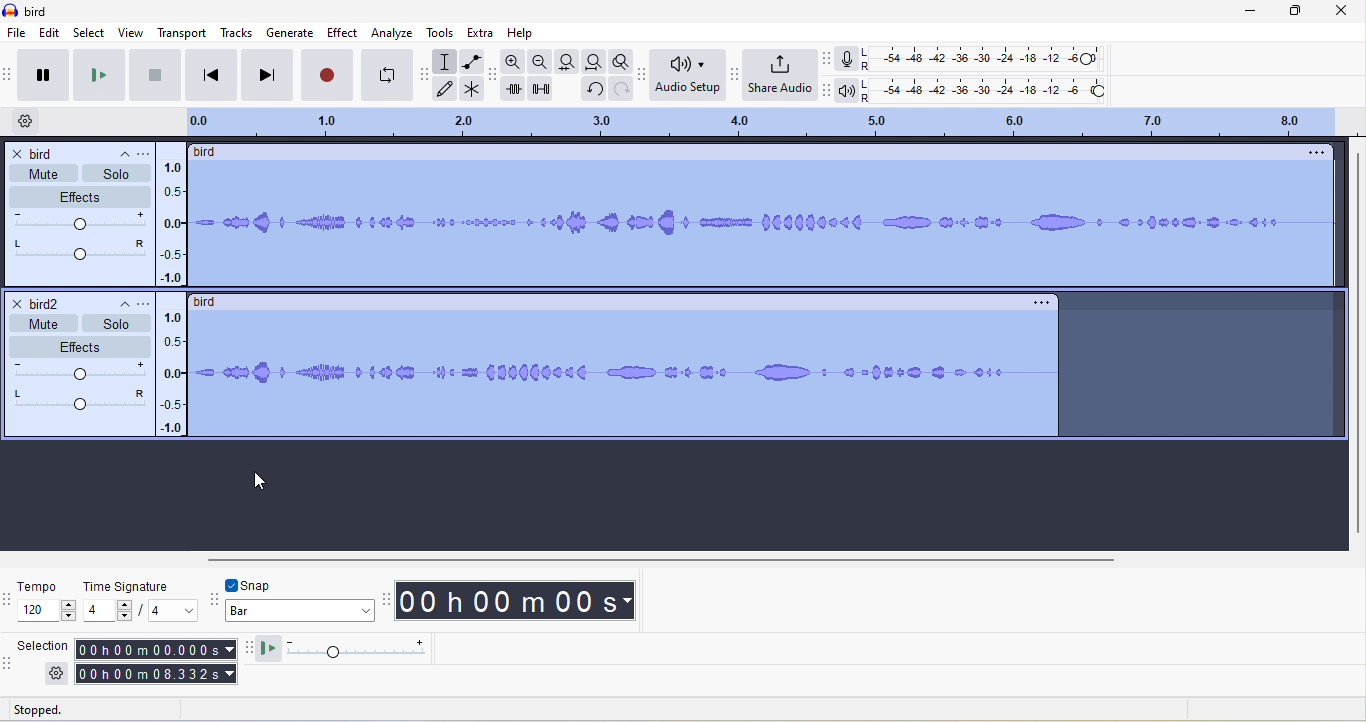 The image size is (1366, 722). I want to click on maximize, so click(1293, 13).